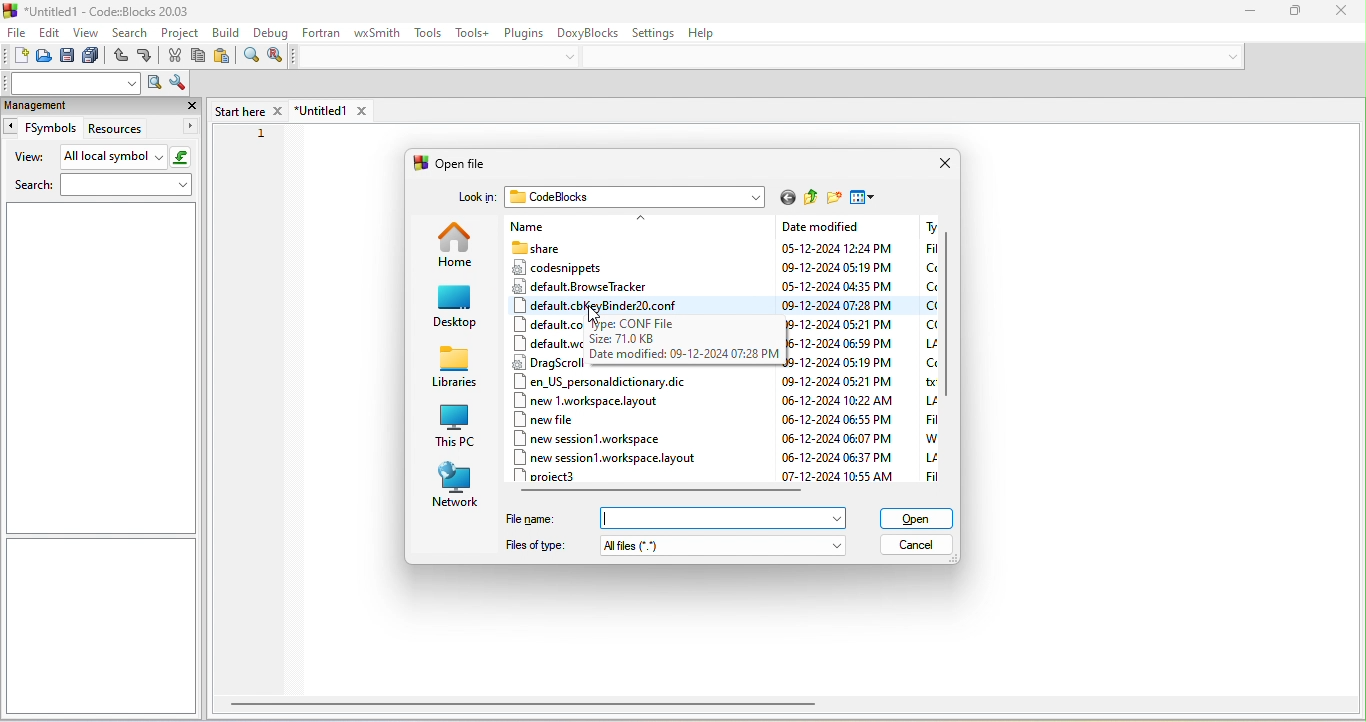 This screenshot has width=1366, height=722. I want to click on sidebar, so click(102, 625).